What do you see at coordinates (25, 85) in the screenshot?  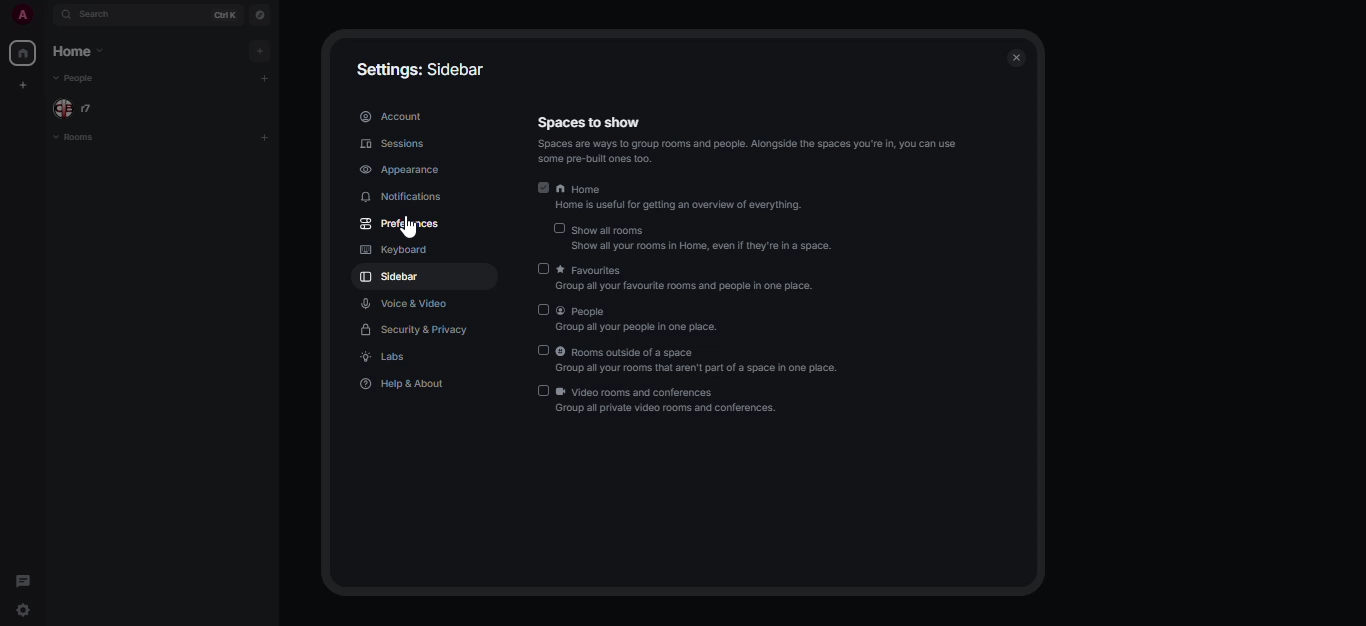 I see `create myspace` at bounding box center [25, 85].